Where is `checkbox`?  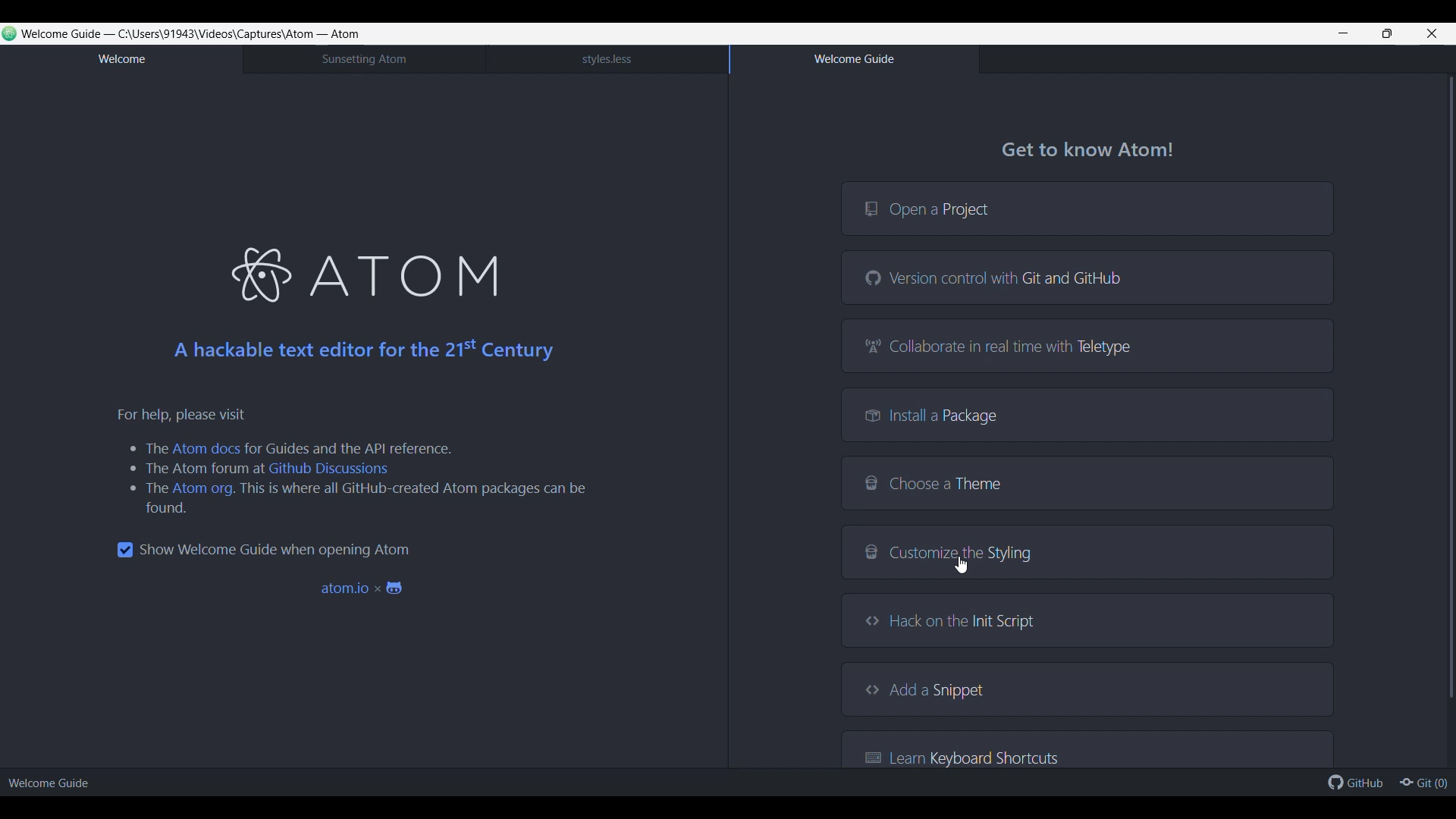
checkbox is located at coordinates (119, 549).